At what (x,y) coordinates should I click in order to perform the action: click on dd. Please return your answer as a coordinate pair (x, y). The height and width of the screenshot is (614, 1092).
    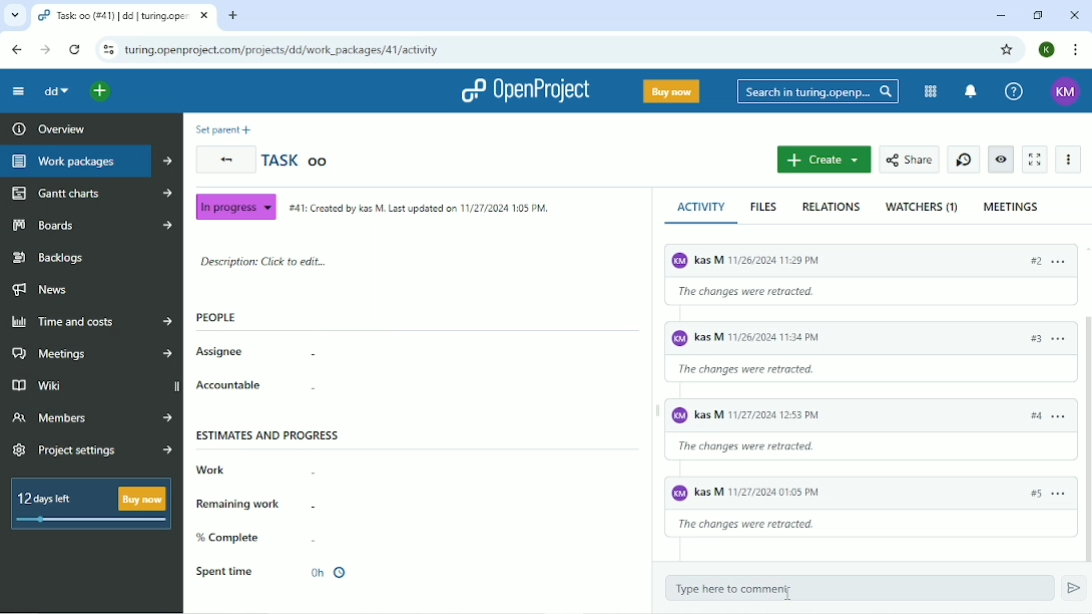
    Looking at the image, I should click on (57, 93).